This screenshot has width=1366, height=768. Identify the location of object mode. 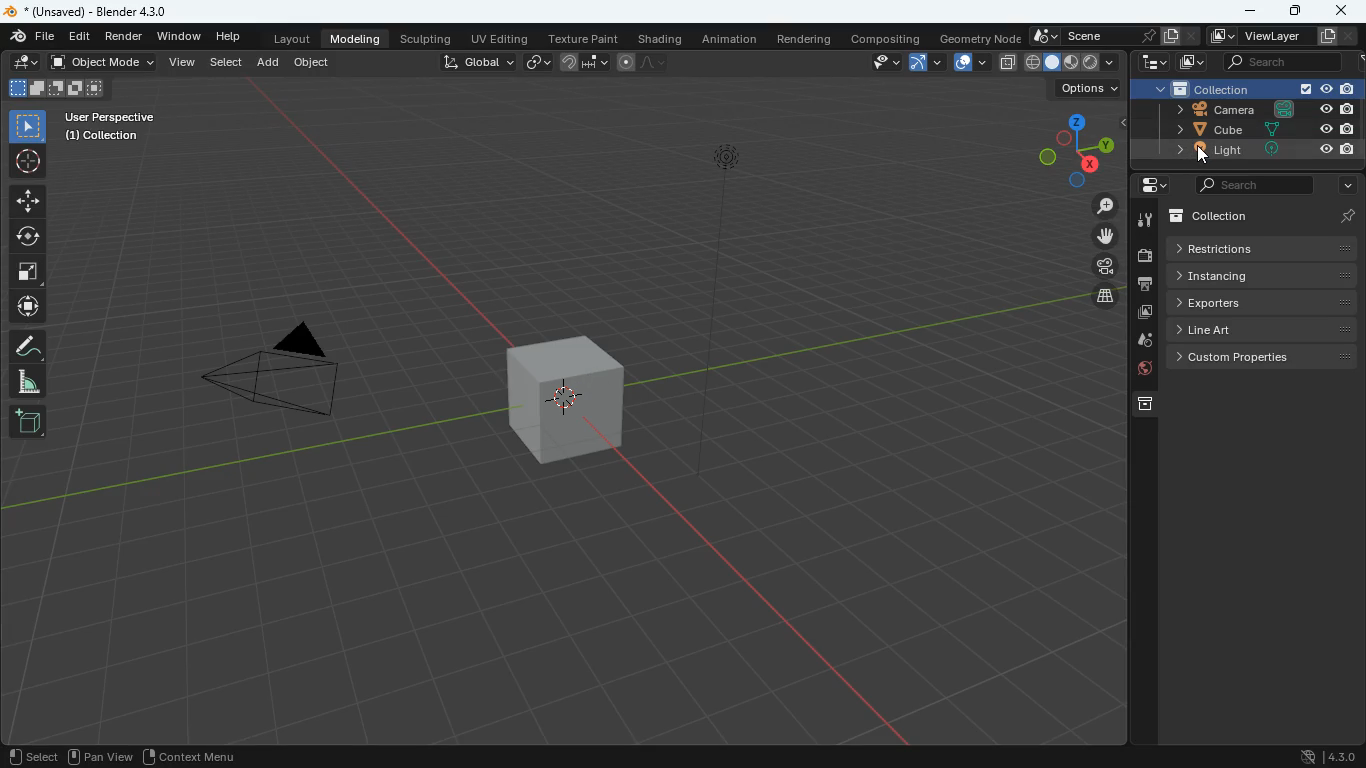
(105, 63).